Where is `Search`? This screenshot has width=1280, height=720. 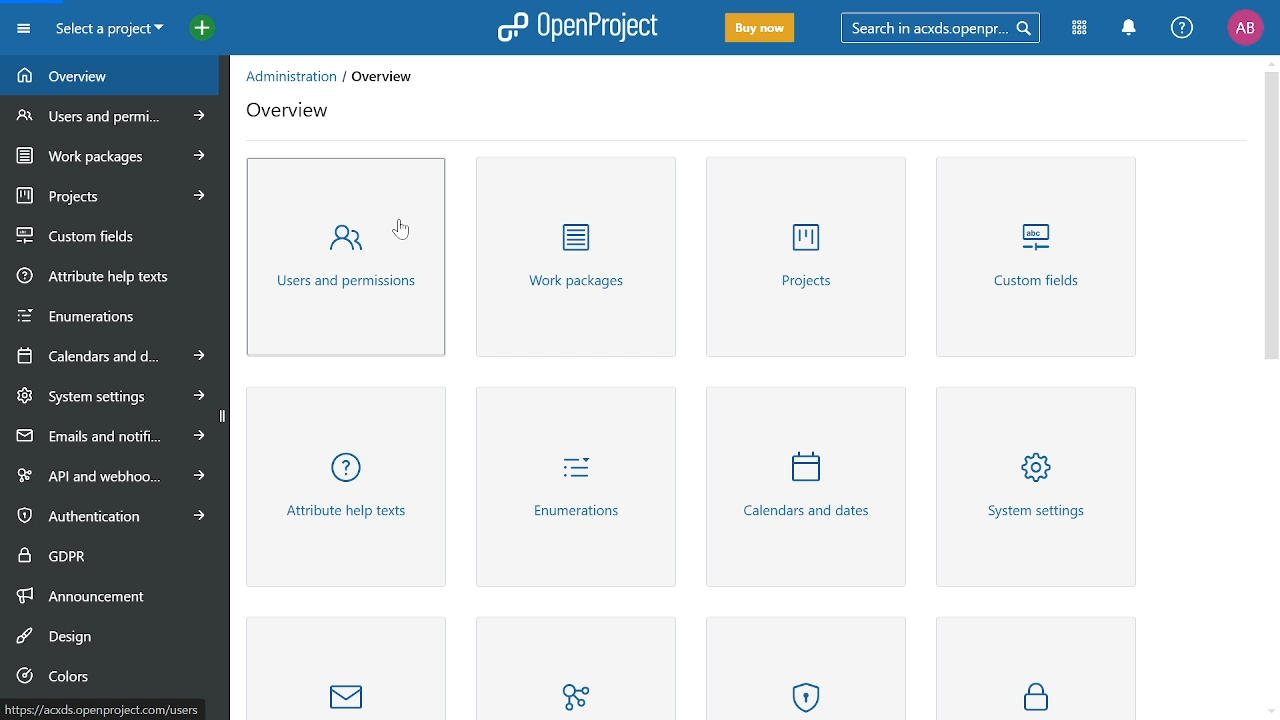 Search is located at coordinates (947, 27).